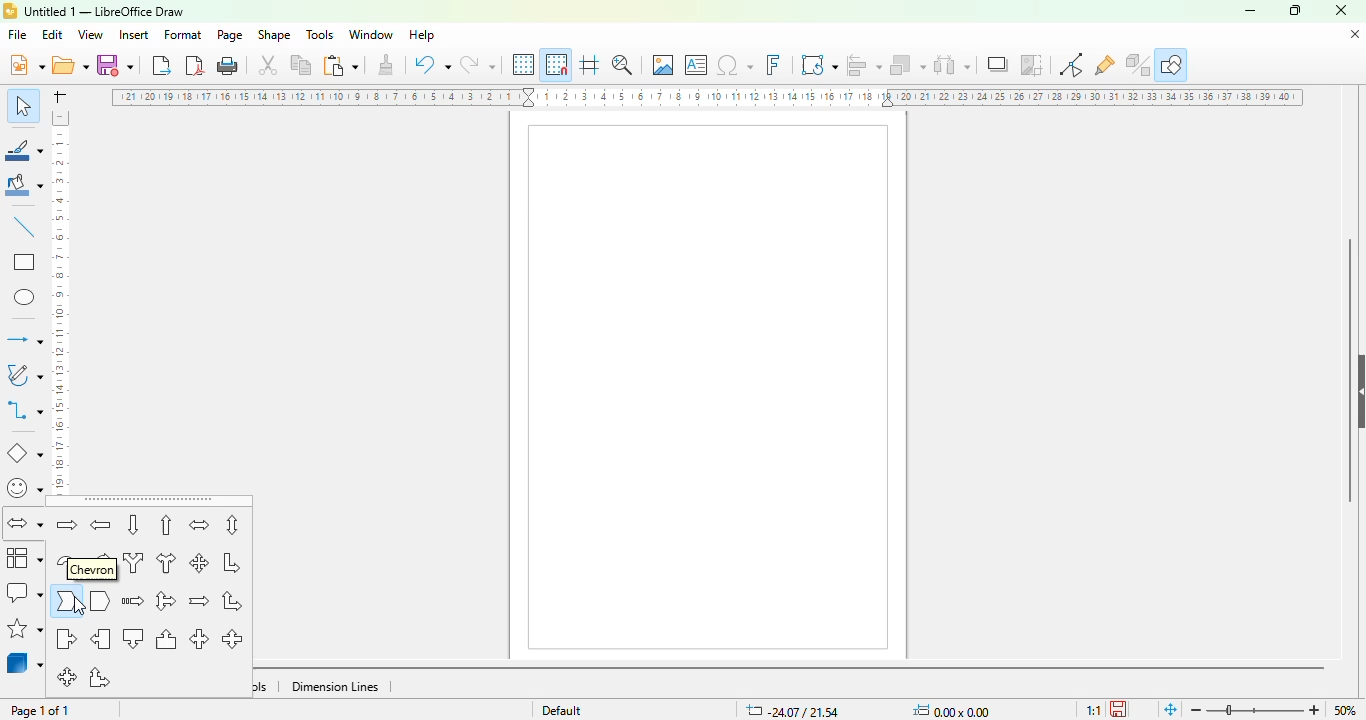  What do you see at coordinates (908, 65) in the screenshot?
I see `arrange` at bounding box center [908, 65].